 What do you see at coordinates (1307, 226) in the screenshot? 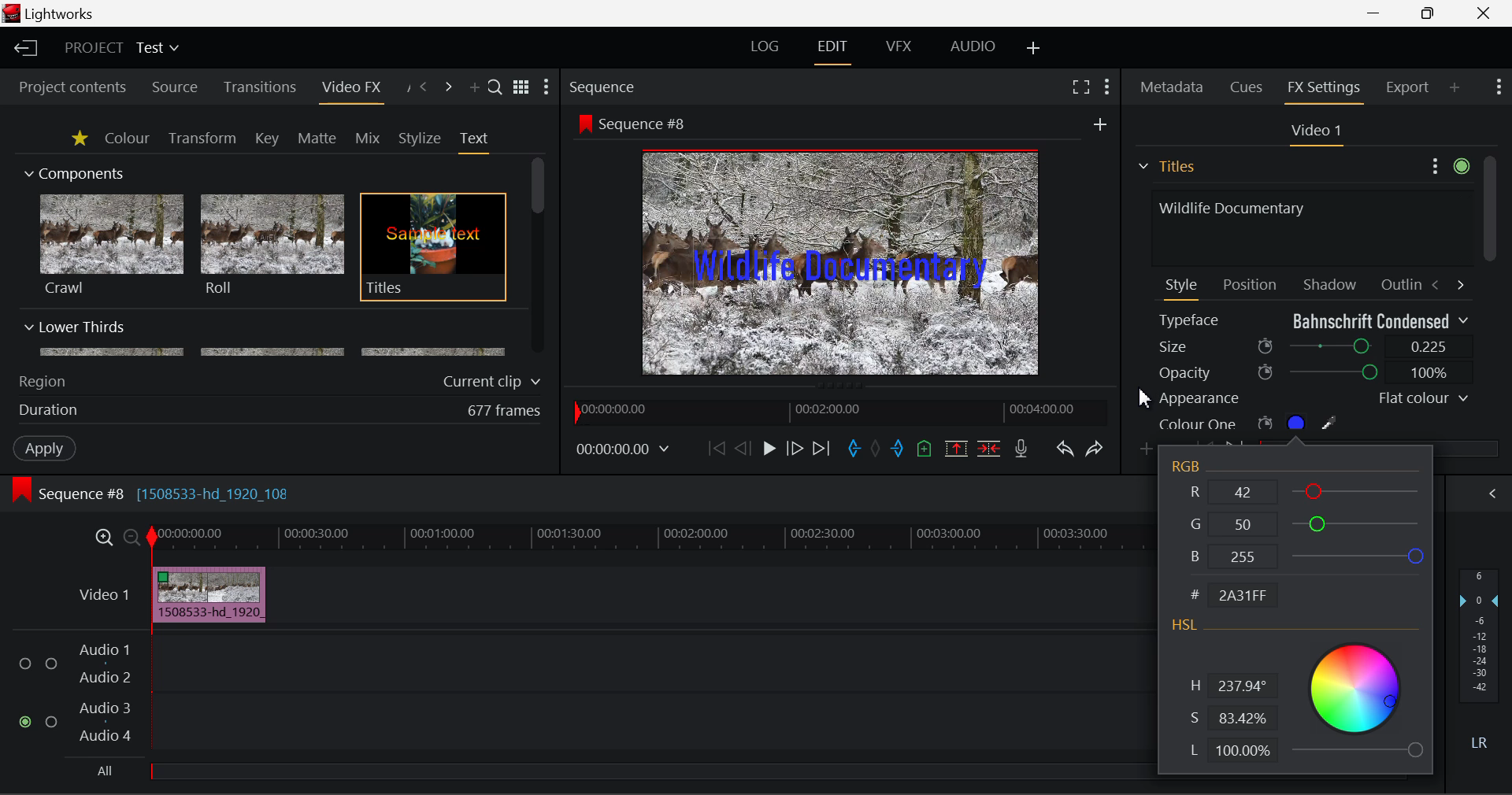
I see `Text Input Field` at bounding box center [1307, 226].